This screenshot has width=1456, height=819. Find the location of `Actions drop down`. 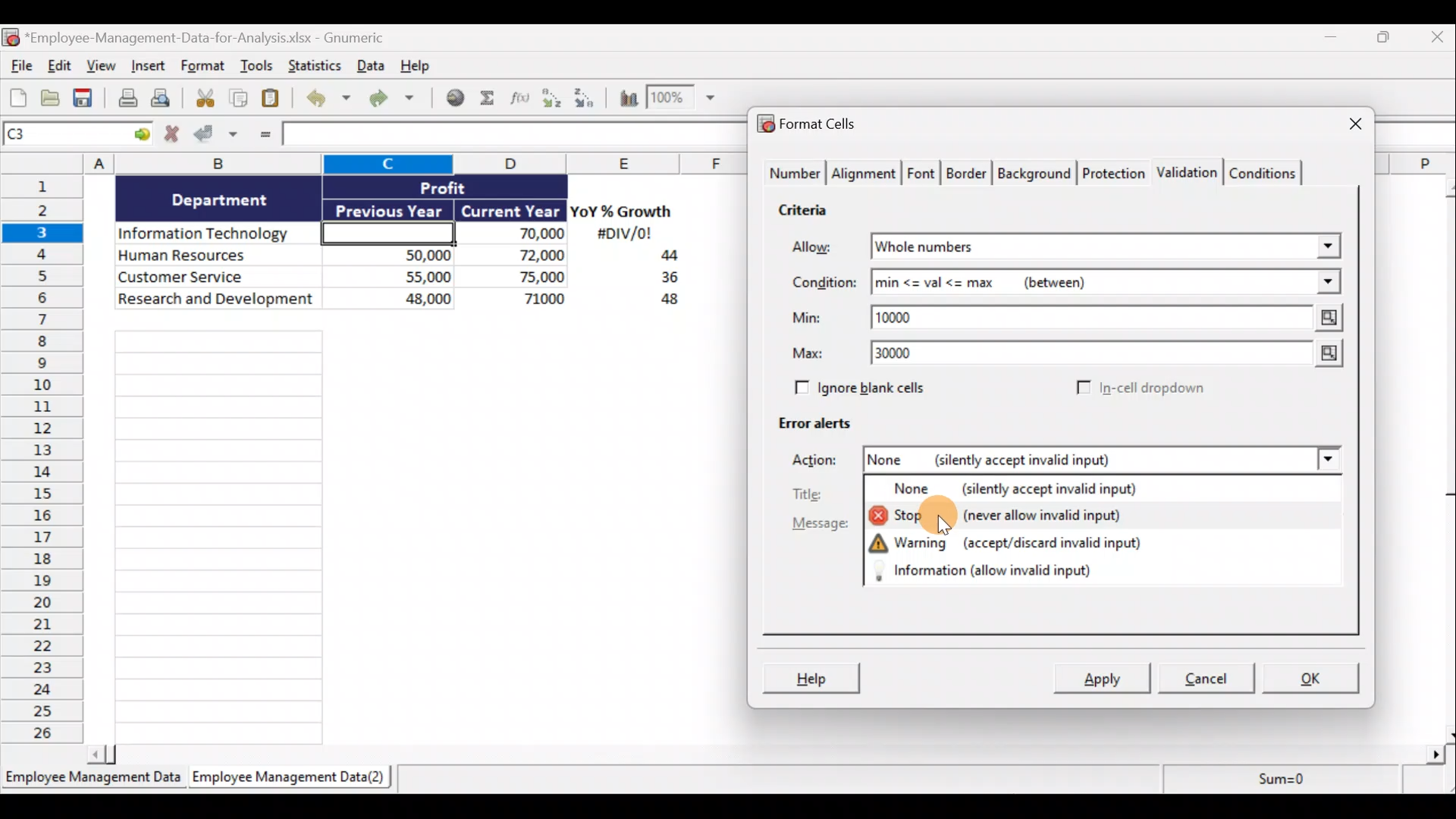

Actions drop down is located at coordinates (1324, 462).